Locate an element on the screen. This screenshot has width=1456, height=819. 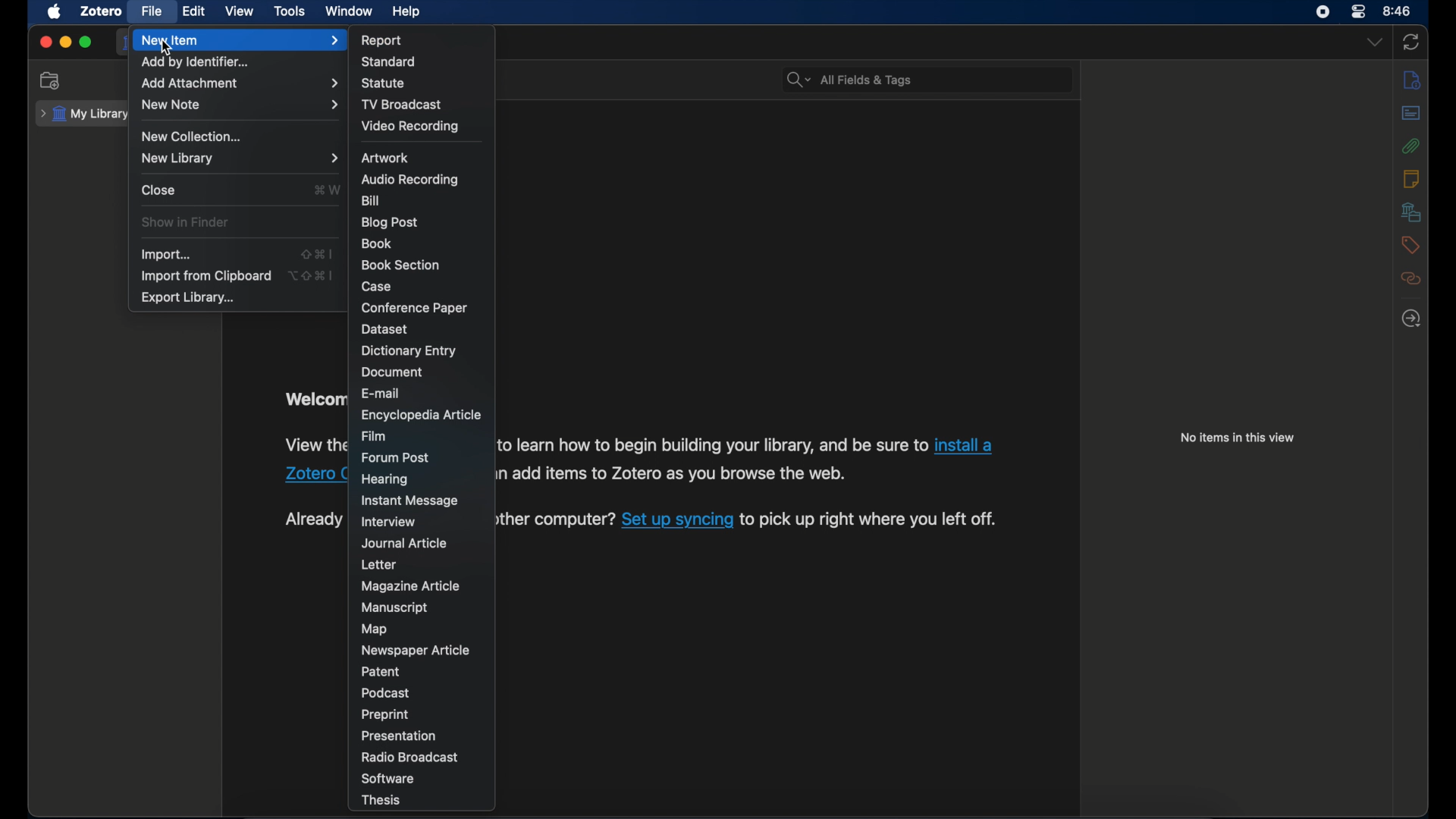
letter is located at coordinates (381, 565).